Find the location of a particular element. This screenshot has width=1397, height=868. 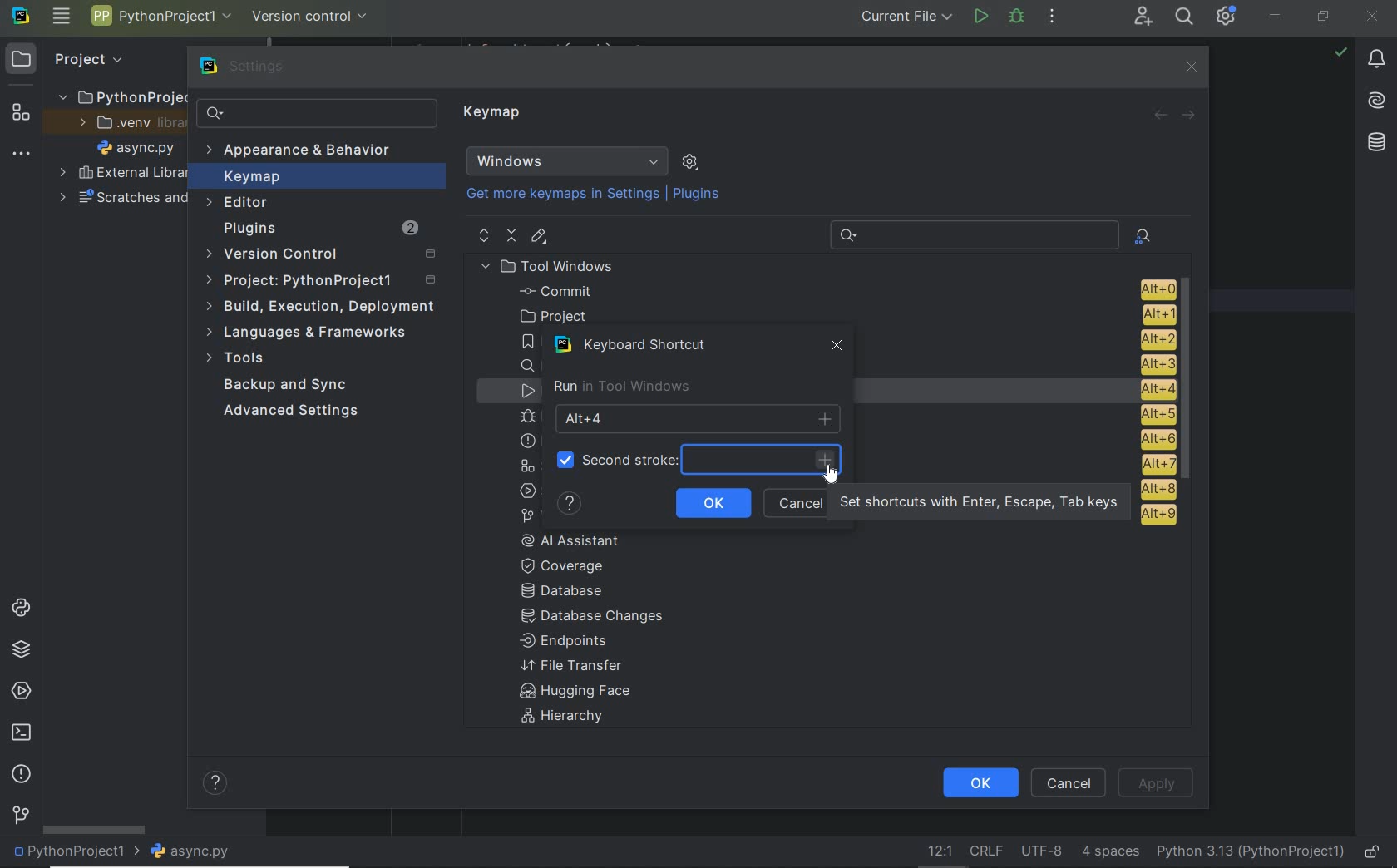

alt + 2 is located at coordinates (1156, 338).